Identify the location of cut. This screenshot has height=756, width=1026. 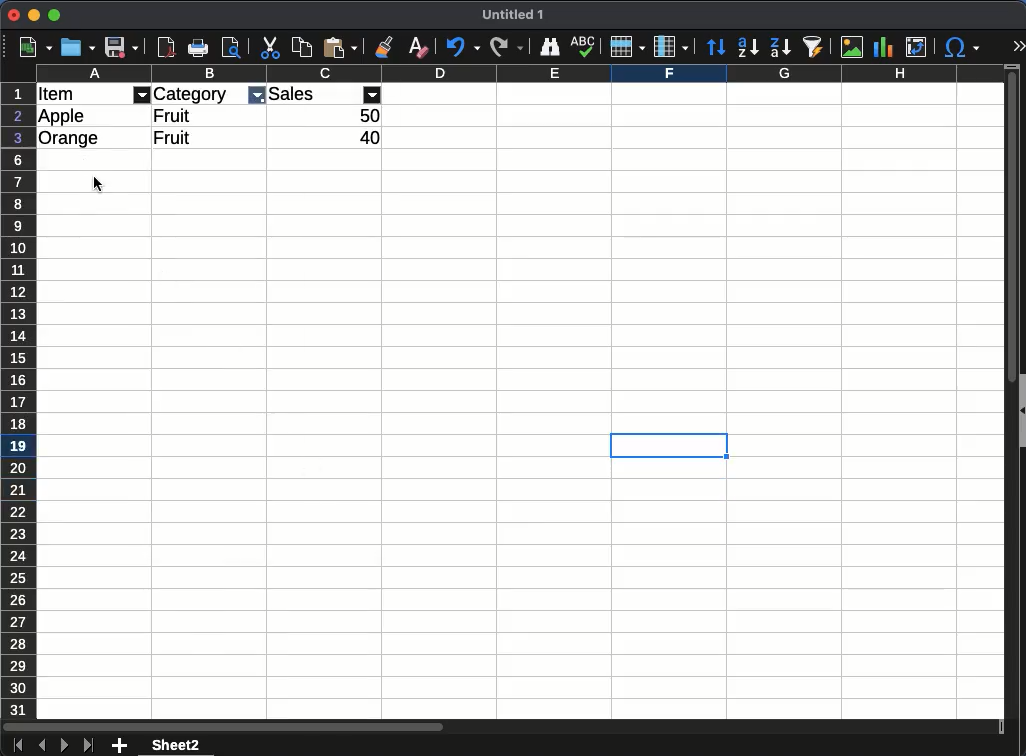
(271, 48).